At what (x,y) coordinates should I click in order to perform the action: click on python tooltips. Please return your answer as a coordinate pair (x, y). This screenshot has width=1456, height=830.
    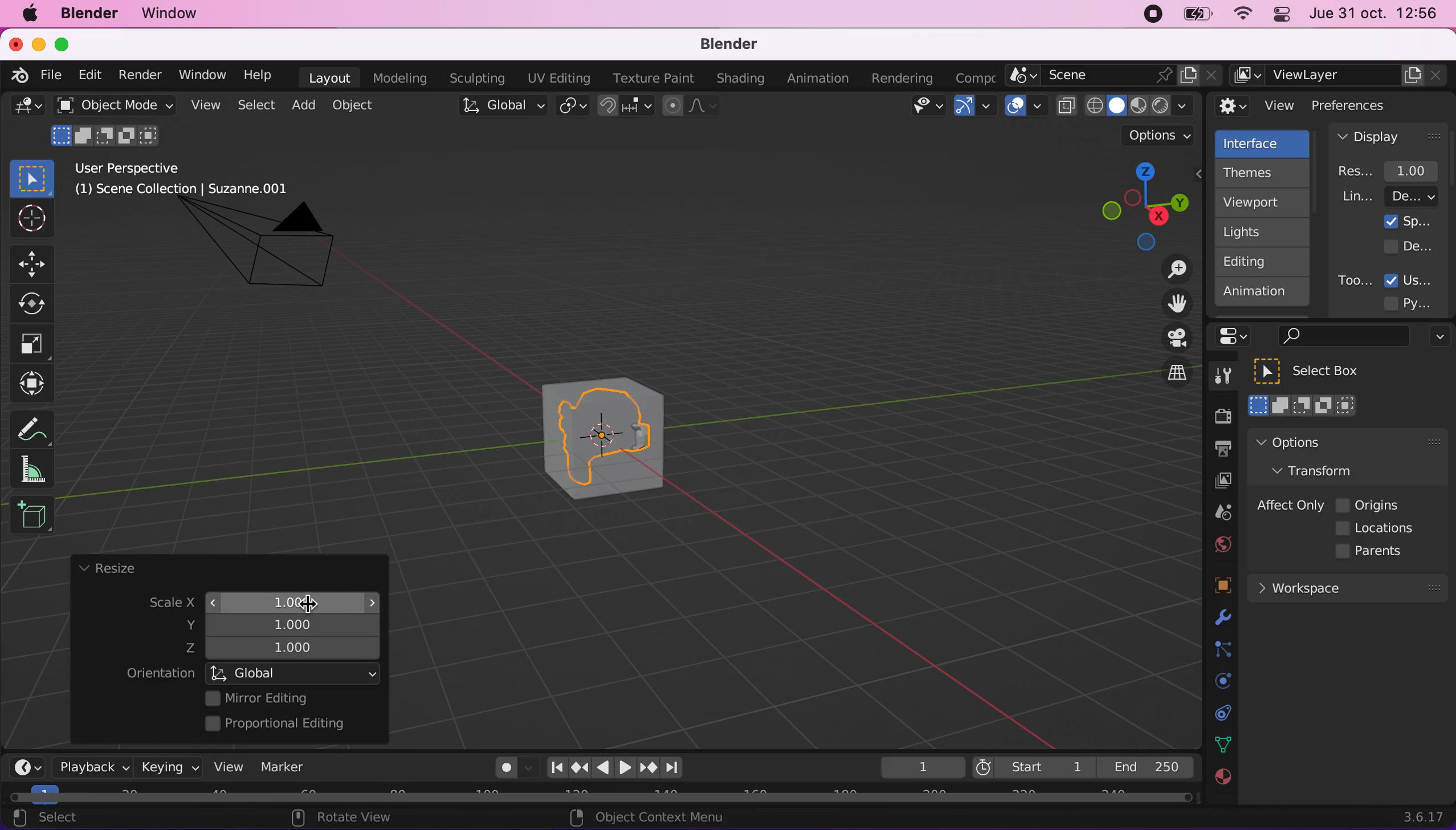
    Looking at the image, I should click on (1421, 302).